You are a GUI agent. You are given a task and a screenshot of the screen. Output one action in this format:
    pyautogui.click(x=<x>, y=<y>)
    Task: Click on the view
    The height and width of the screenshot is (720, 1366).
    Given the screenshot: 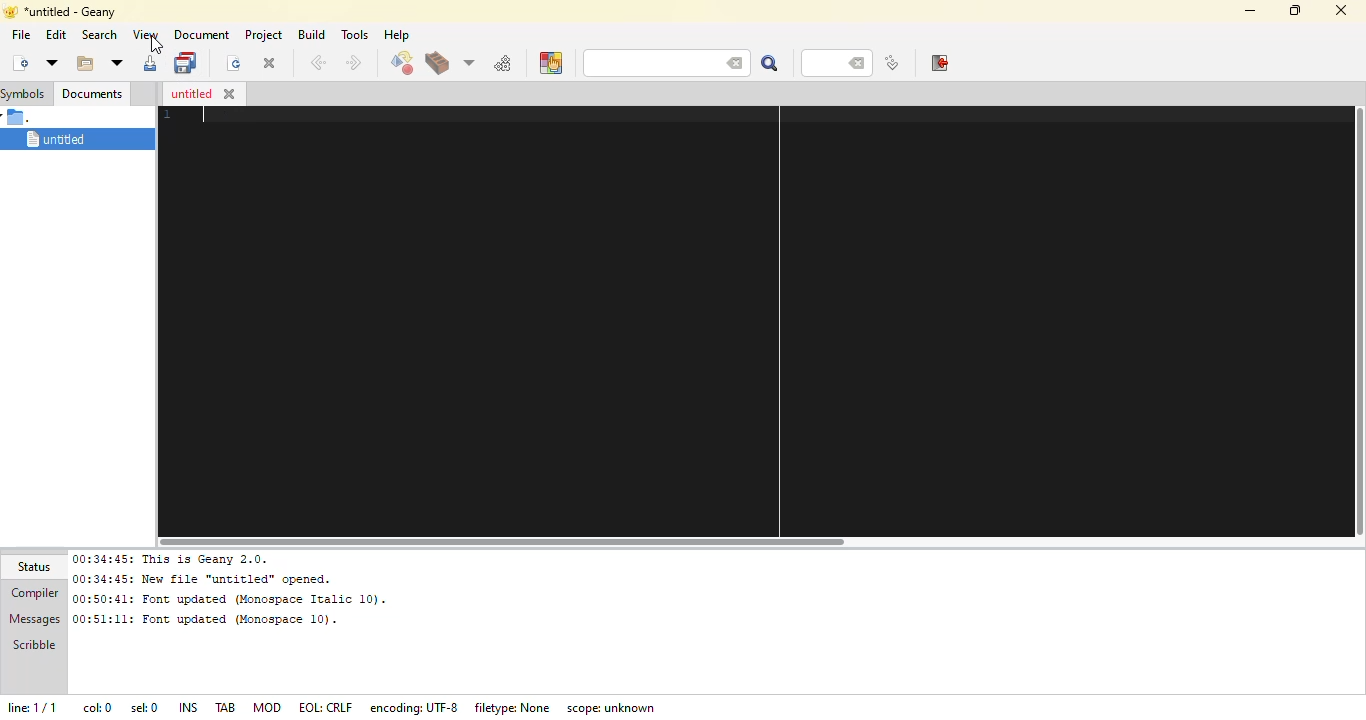 What is the action you would take?
    pyautogui.click(x=145, y=34)
    